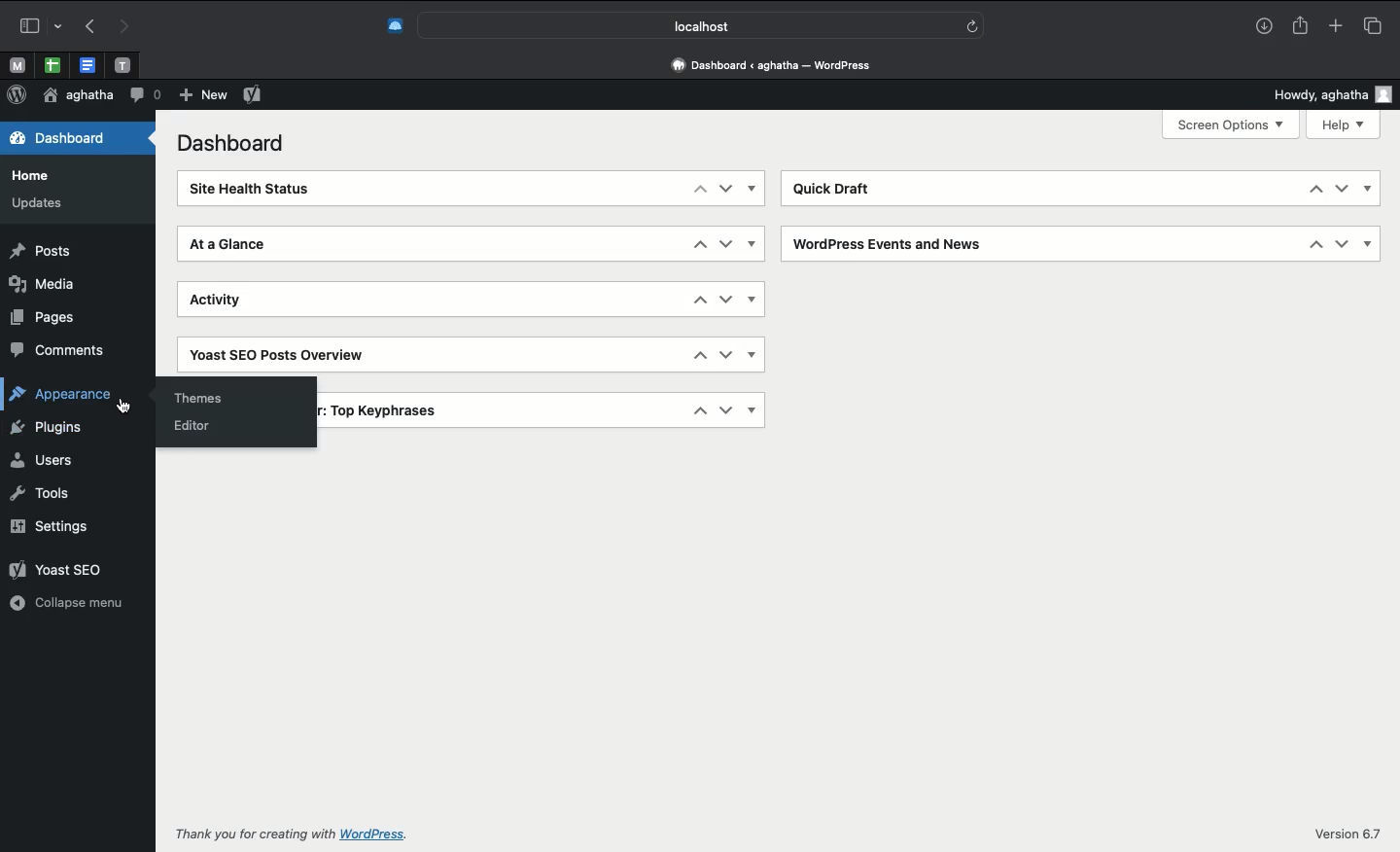  Describe the element at coordinates (227, 144) in the screenshot. I see `Dashboard` at that location.